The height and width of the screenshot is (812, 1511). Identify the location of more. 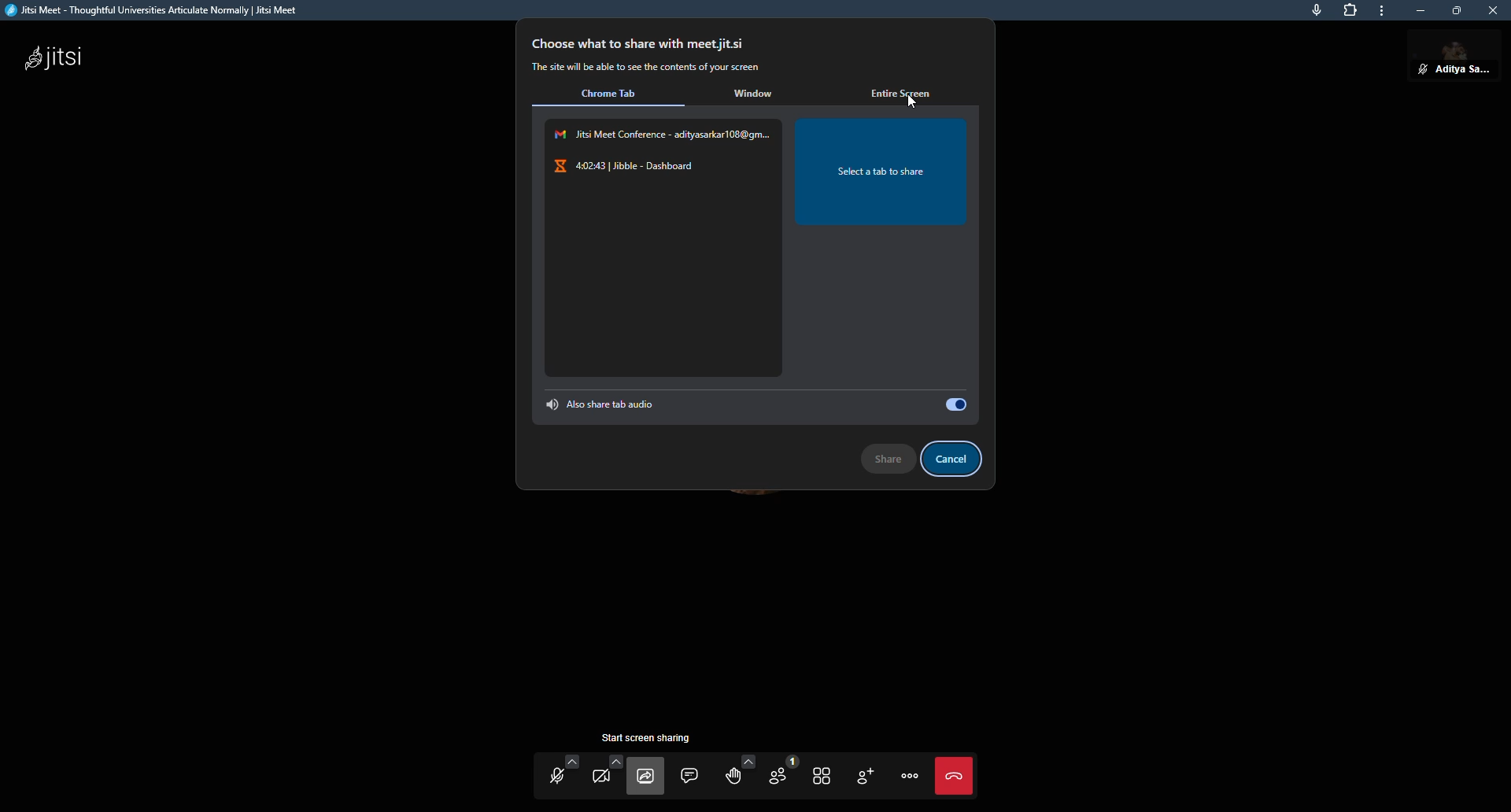
(1381, 11).